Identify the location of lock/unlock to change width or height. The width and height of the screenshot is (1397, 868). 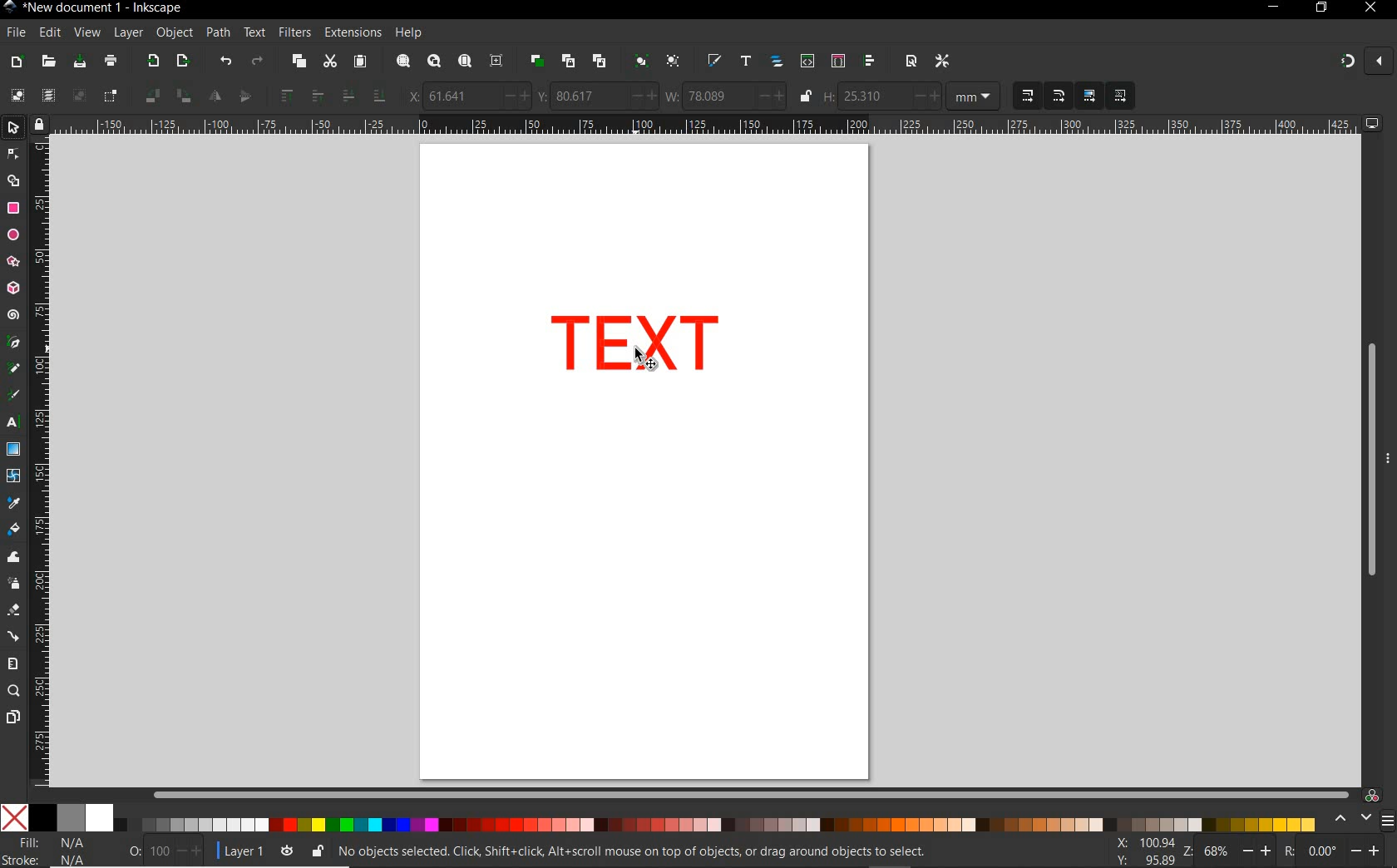
(805, 96).